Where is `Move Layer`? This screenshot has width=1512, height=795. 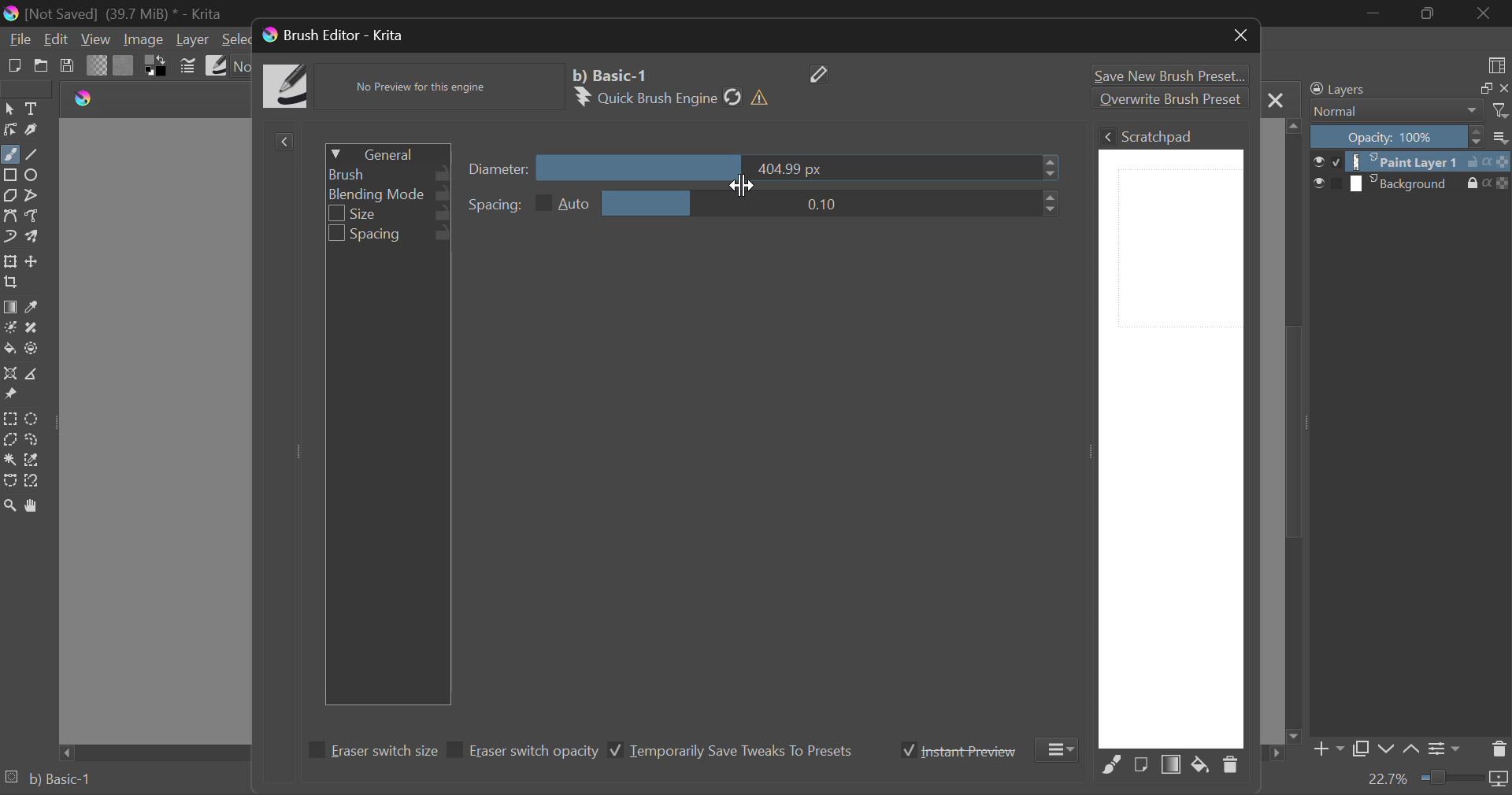
Move Layer is located at coordinates (34, 261).